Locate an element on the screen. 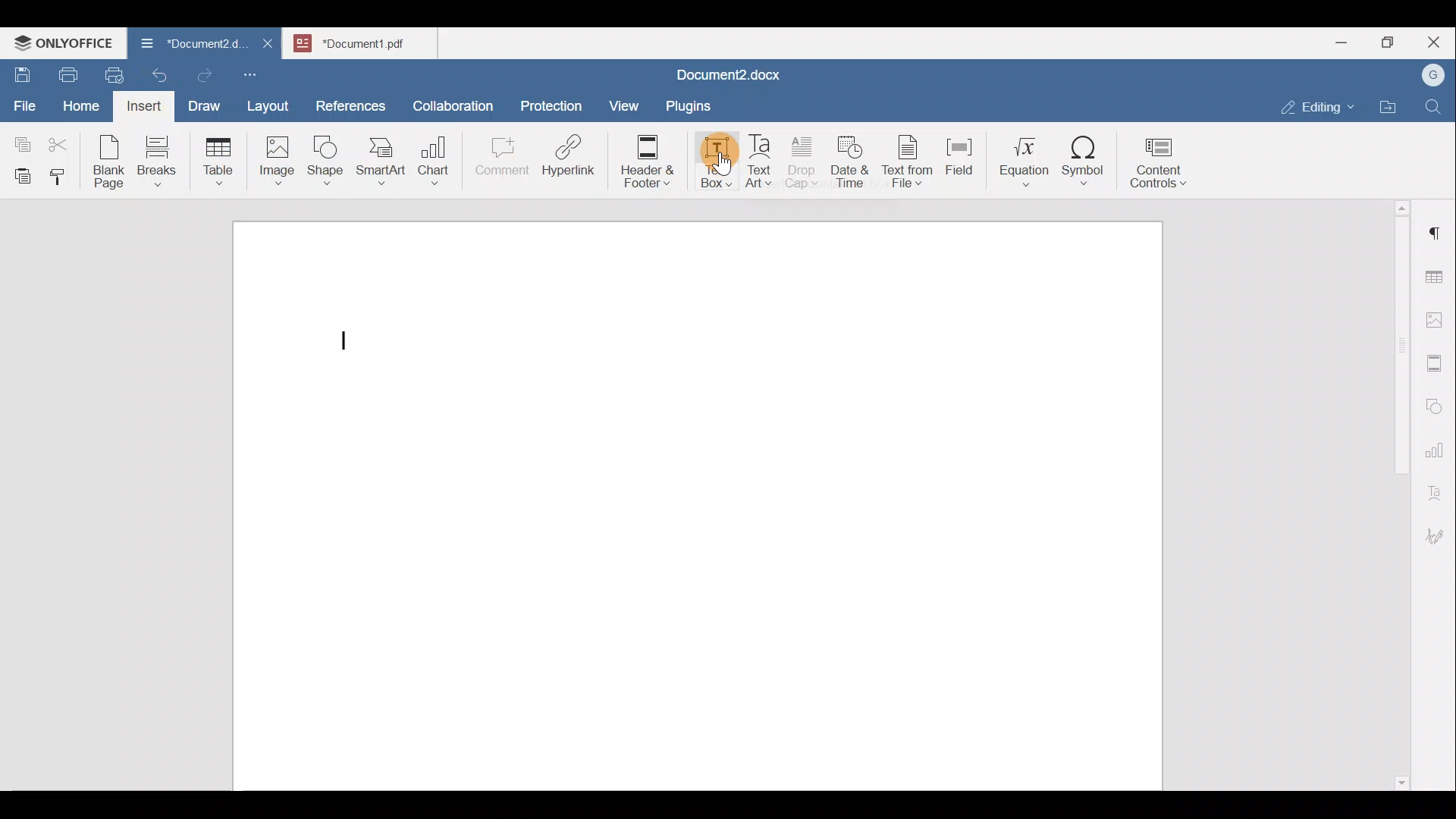 The height and width of the screenshot is (819, 1456). Image is located at coordinates (281, 155).